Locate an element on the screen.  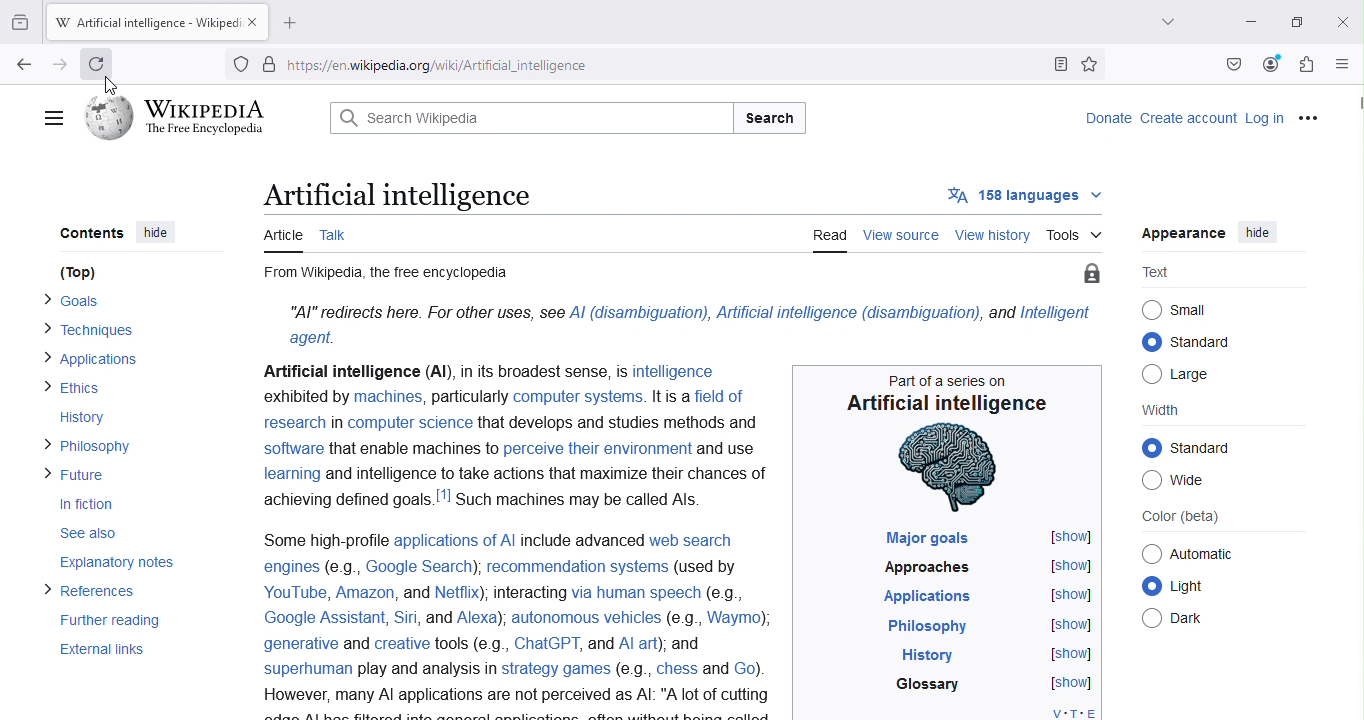
generative is located at coordinates (296, 647).